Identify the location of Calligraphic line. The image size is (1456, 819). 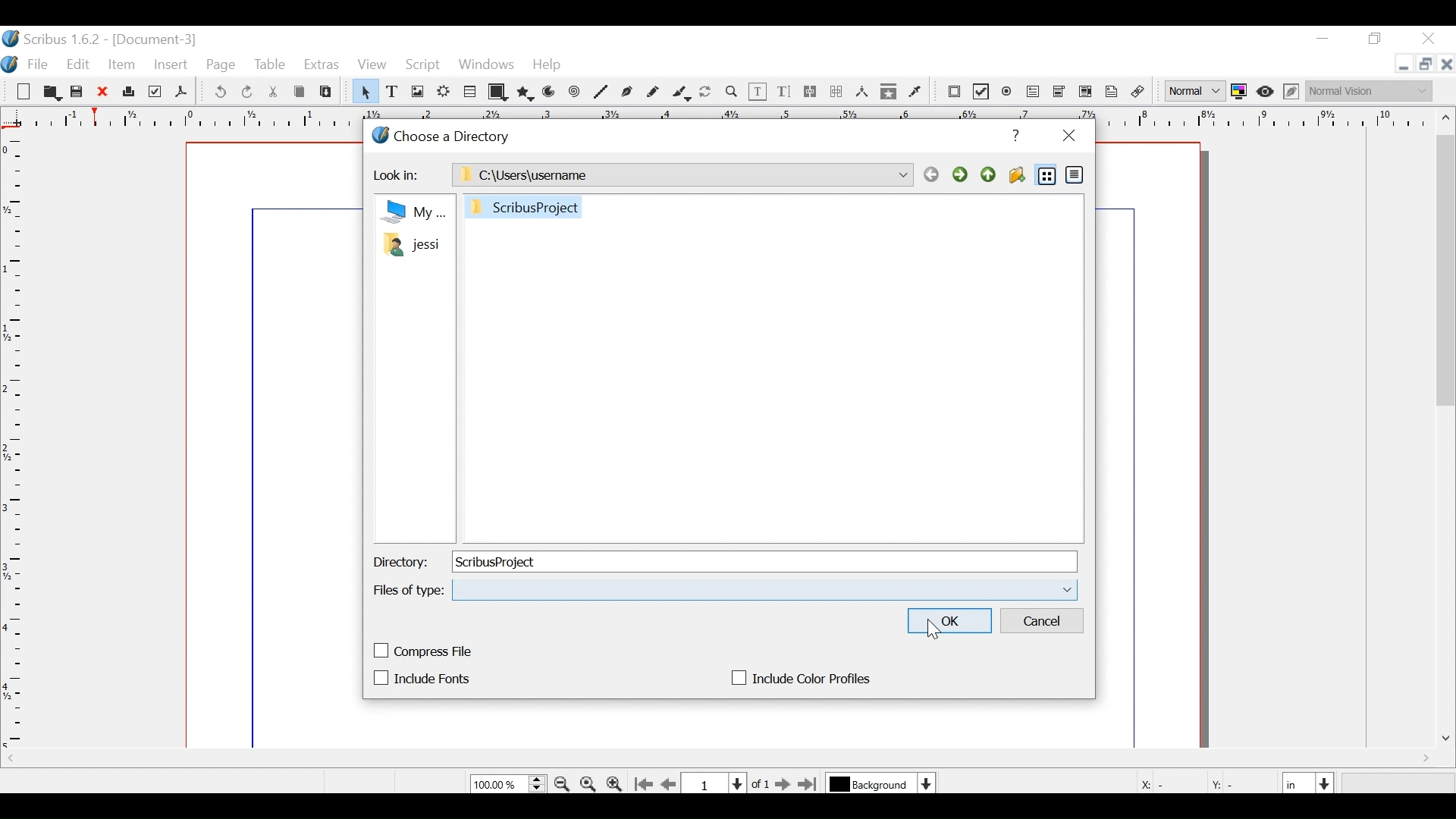
(682, 93).